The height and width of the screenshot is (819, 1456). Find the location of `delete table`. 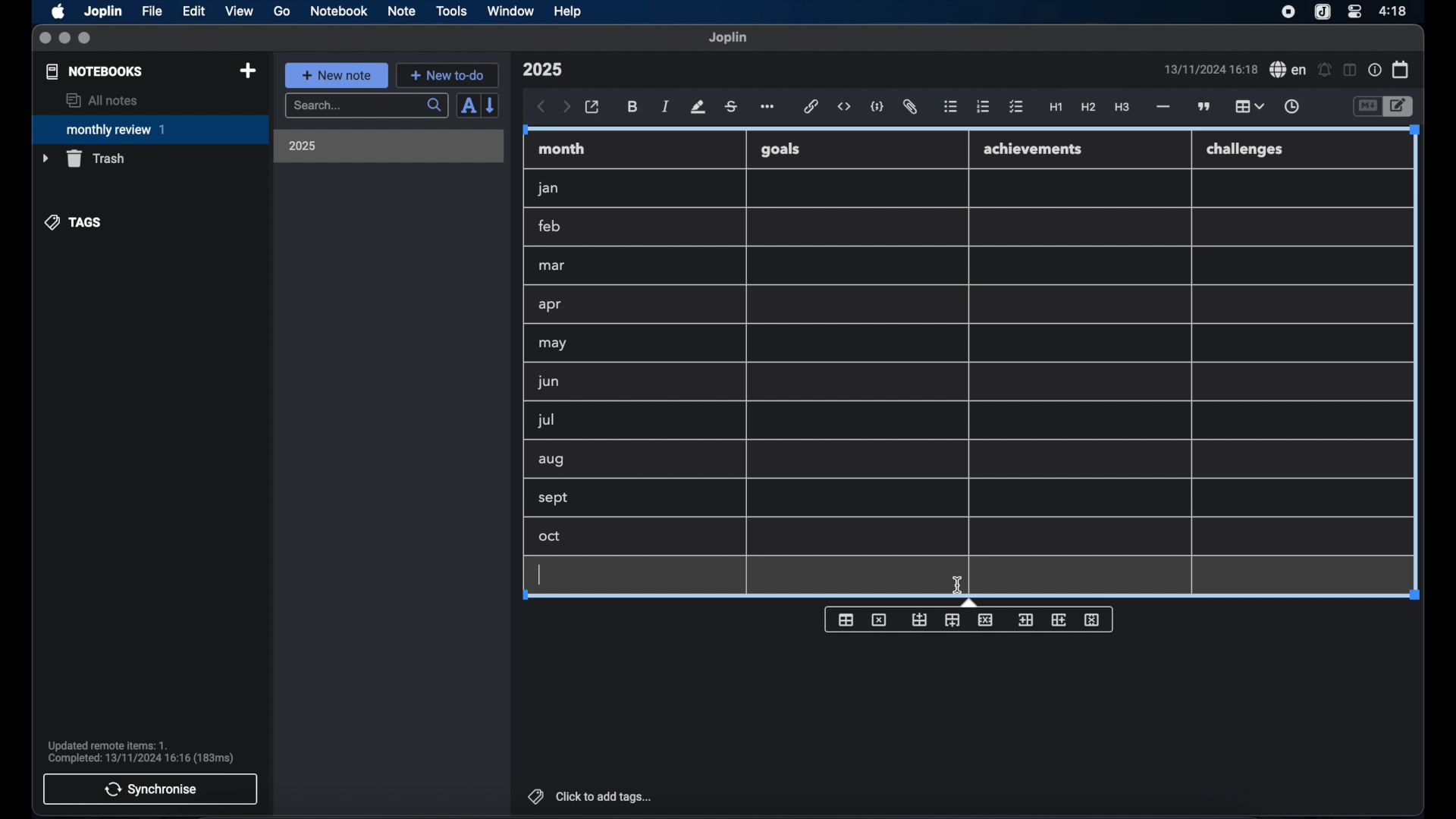

delete table is located at coordinates (880, 620).